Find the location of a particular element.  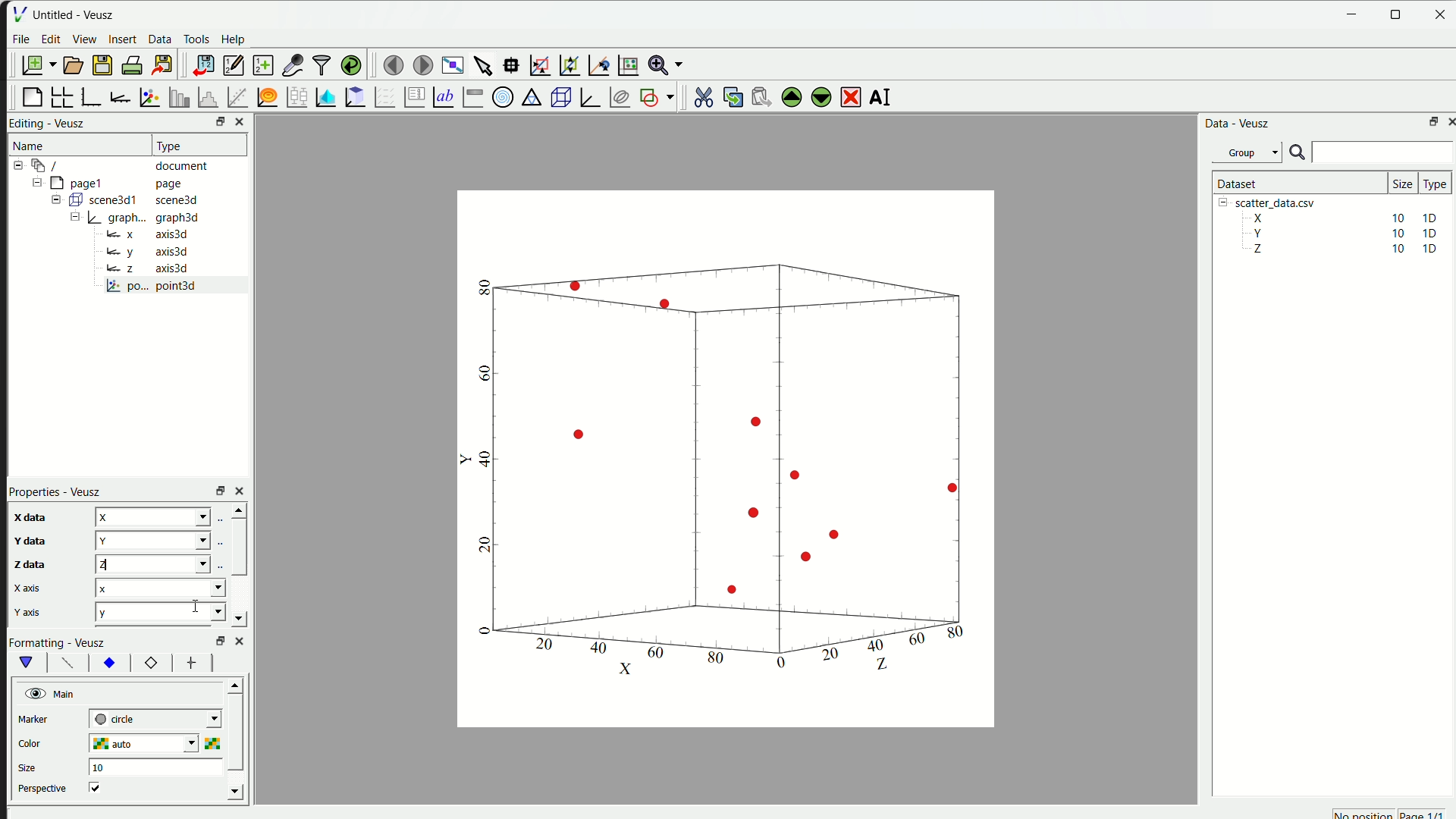

Untitled - Veusz is located at coordinates (77, 14).